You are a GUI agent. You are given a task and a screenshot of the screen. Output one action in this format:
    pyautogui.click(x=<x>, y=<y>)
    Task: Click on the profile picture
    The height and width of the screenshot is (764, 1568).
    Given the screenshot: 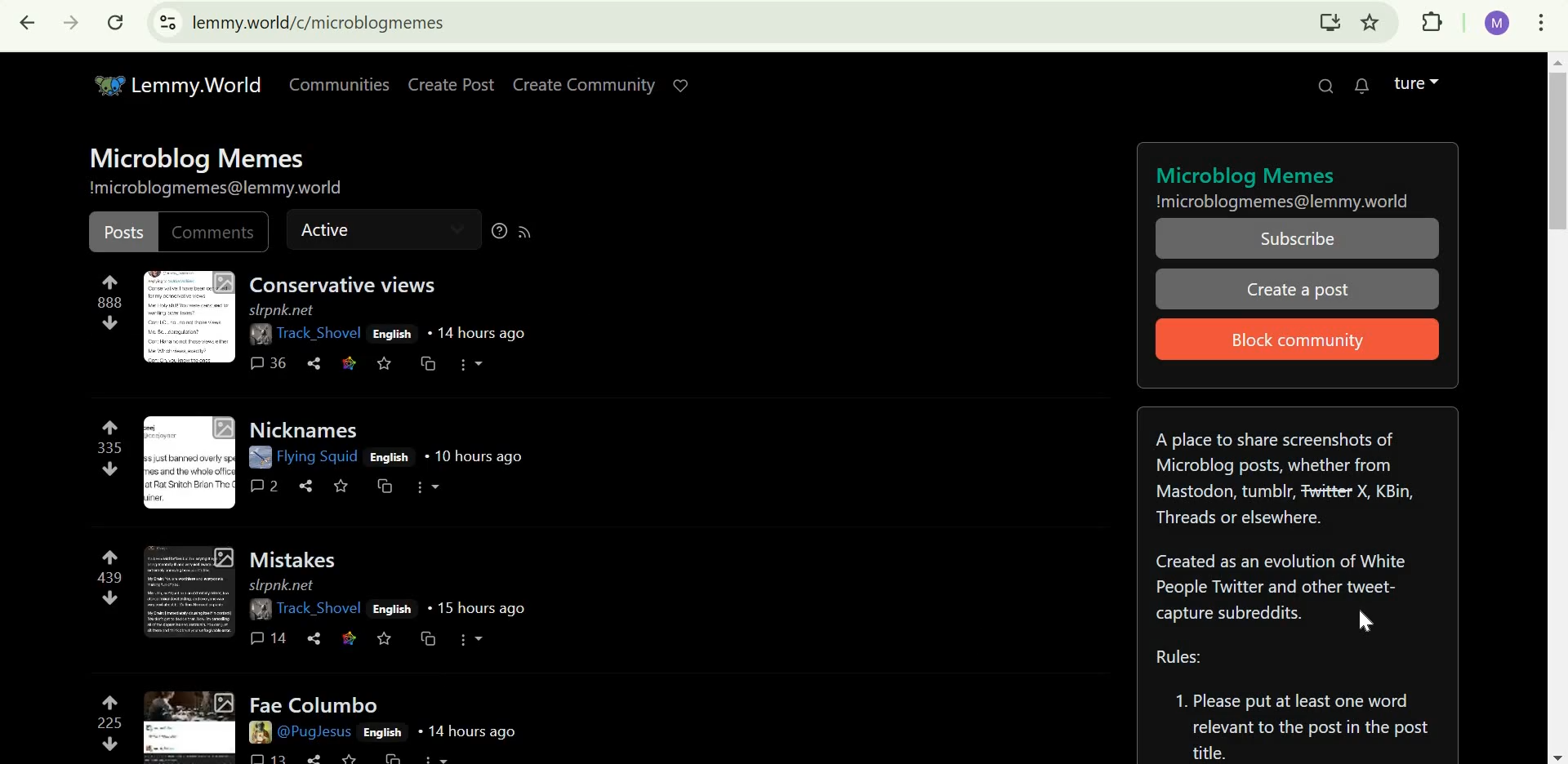 What is the action you would take?
    pyautogui.click(x=256, y=732)
    